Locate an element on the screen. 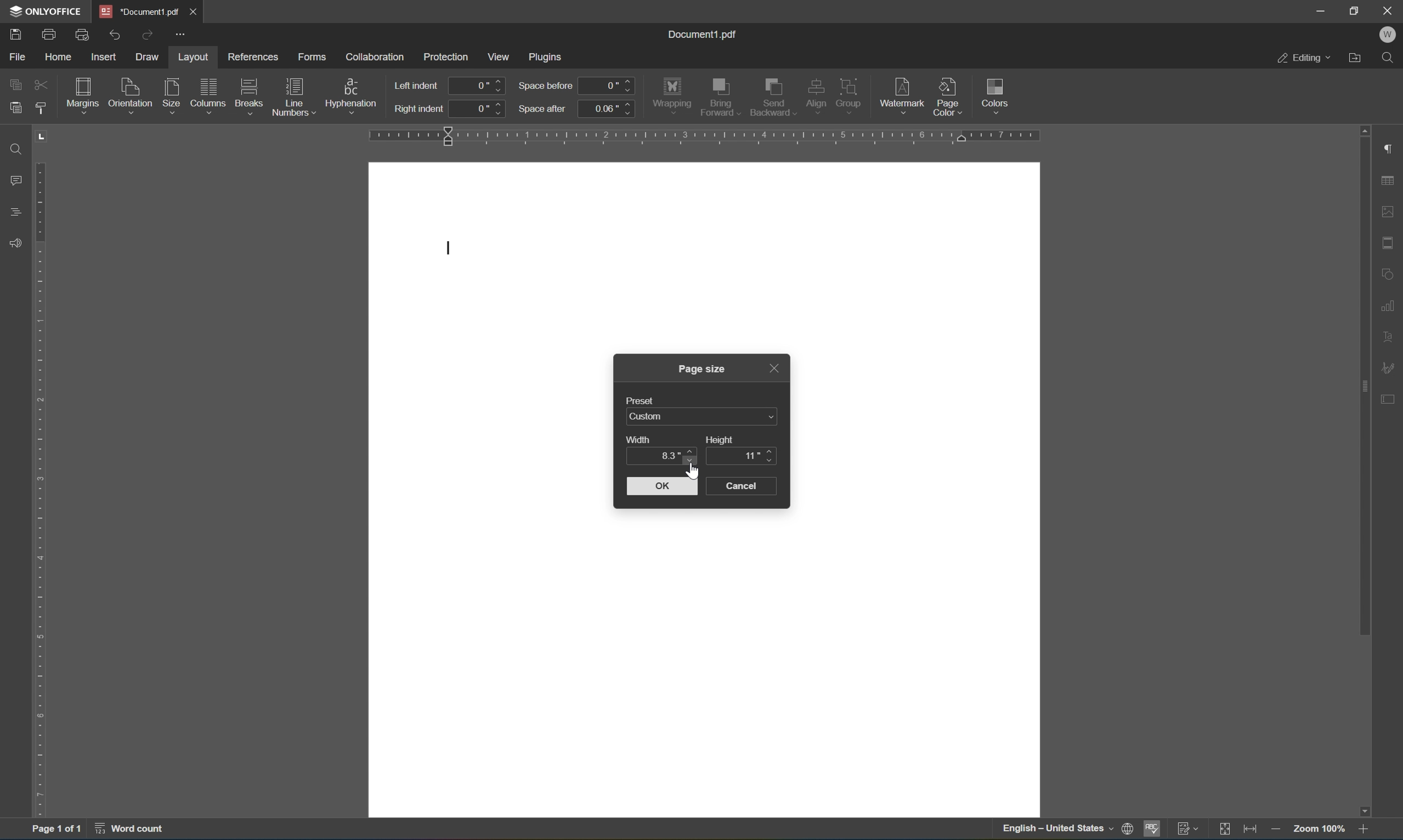 This screenshot has height=840, width=1403. group is located at coordinates (852, 93).